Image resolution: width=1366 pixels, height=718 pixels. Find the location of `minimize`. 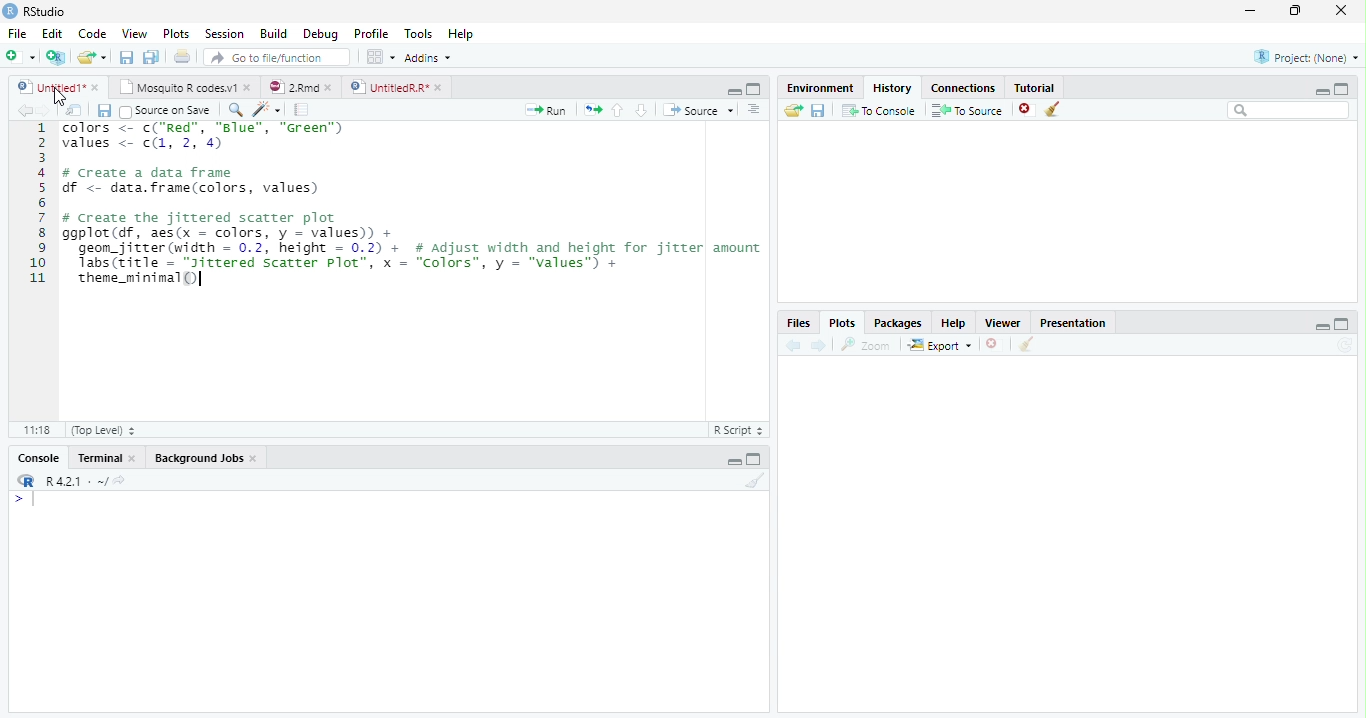

minimize is located at coordinates (1251, 10).